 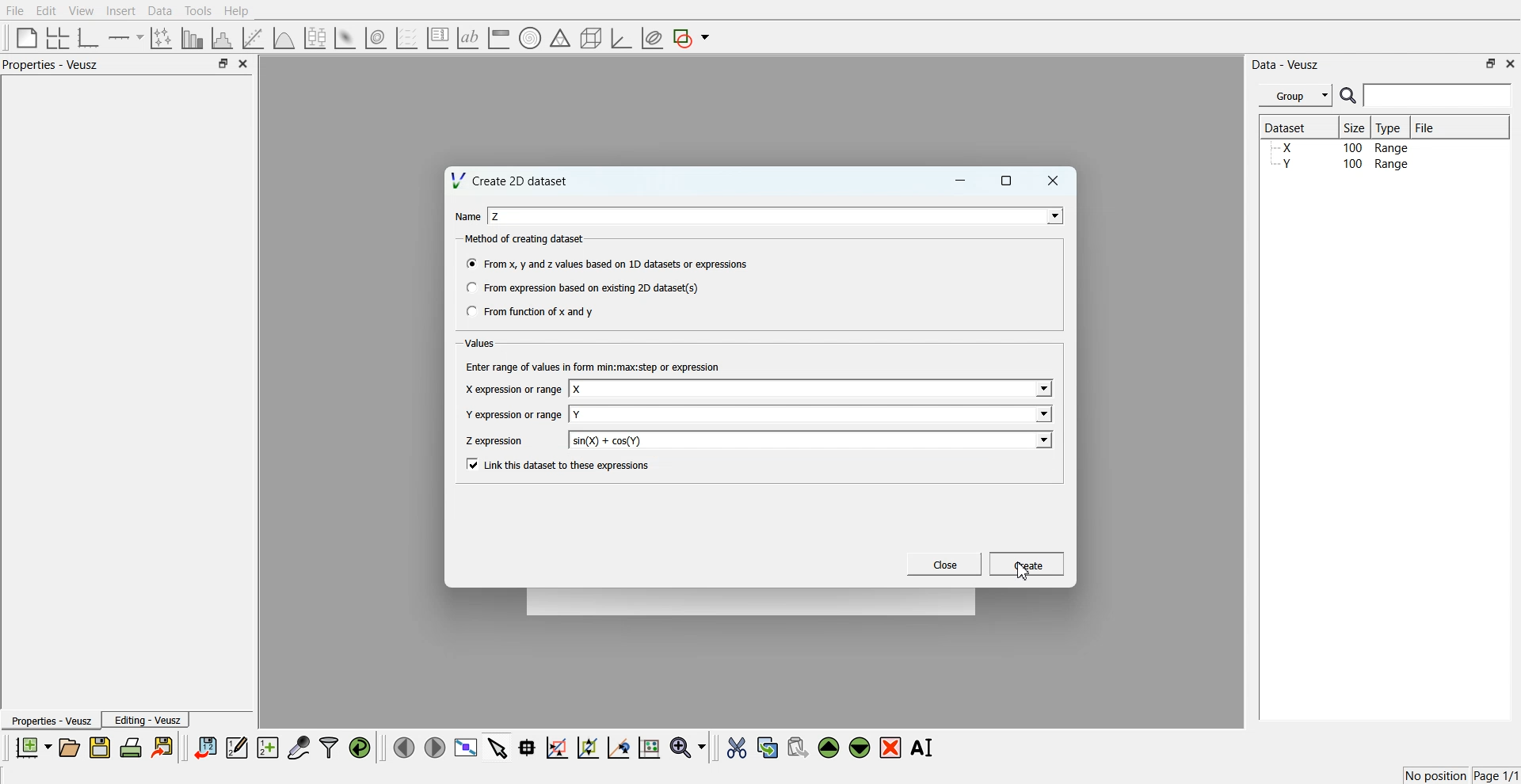 I want to click on Dataset, so click(x=1293, y=127).